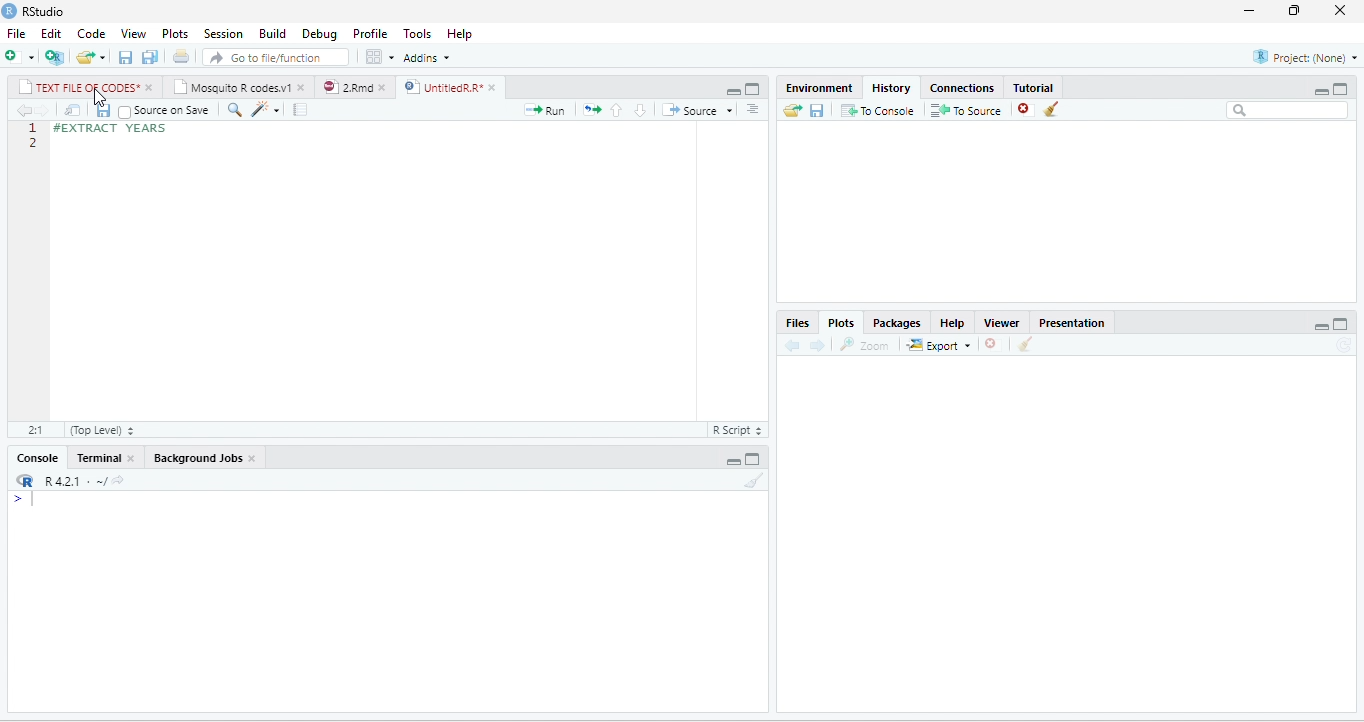  Describe the element at coordinates (1340, 11) in the screenshot. I see `close` at that location.